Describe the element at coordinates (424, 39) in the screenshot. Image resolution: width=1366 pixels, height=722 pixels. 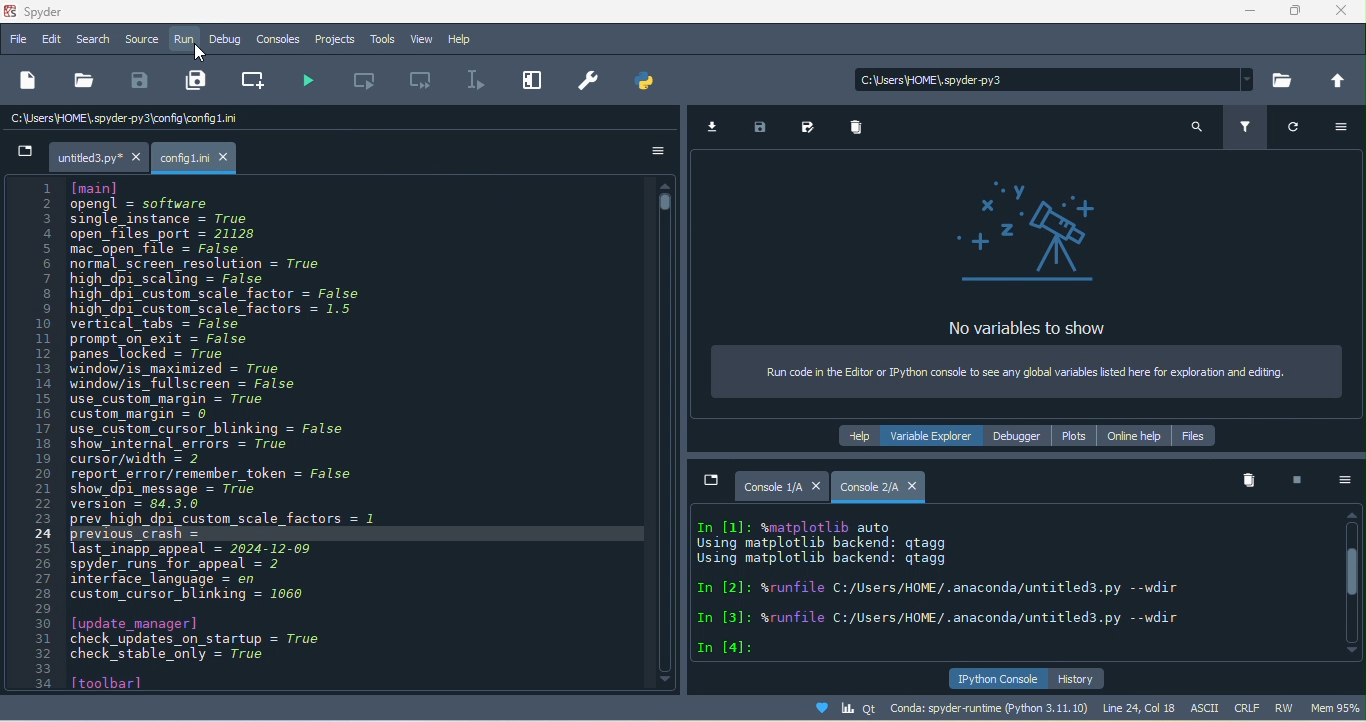
I see `view` at that location.